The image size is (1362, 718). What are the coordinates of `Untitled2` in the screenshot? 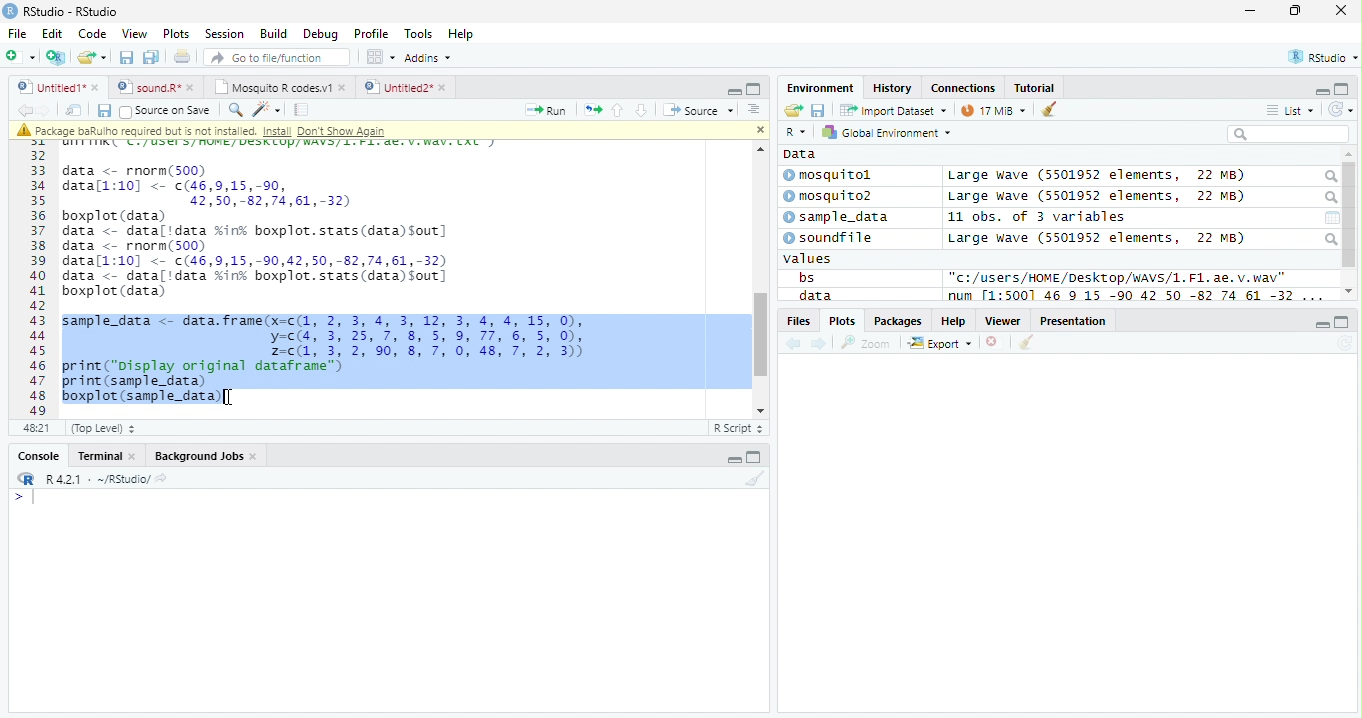 It's located at (405, 88).